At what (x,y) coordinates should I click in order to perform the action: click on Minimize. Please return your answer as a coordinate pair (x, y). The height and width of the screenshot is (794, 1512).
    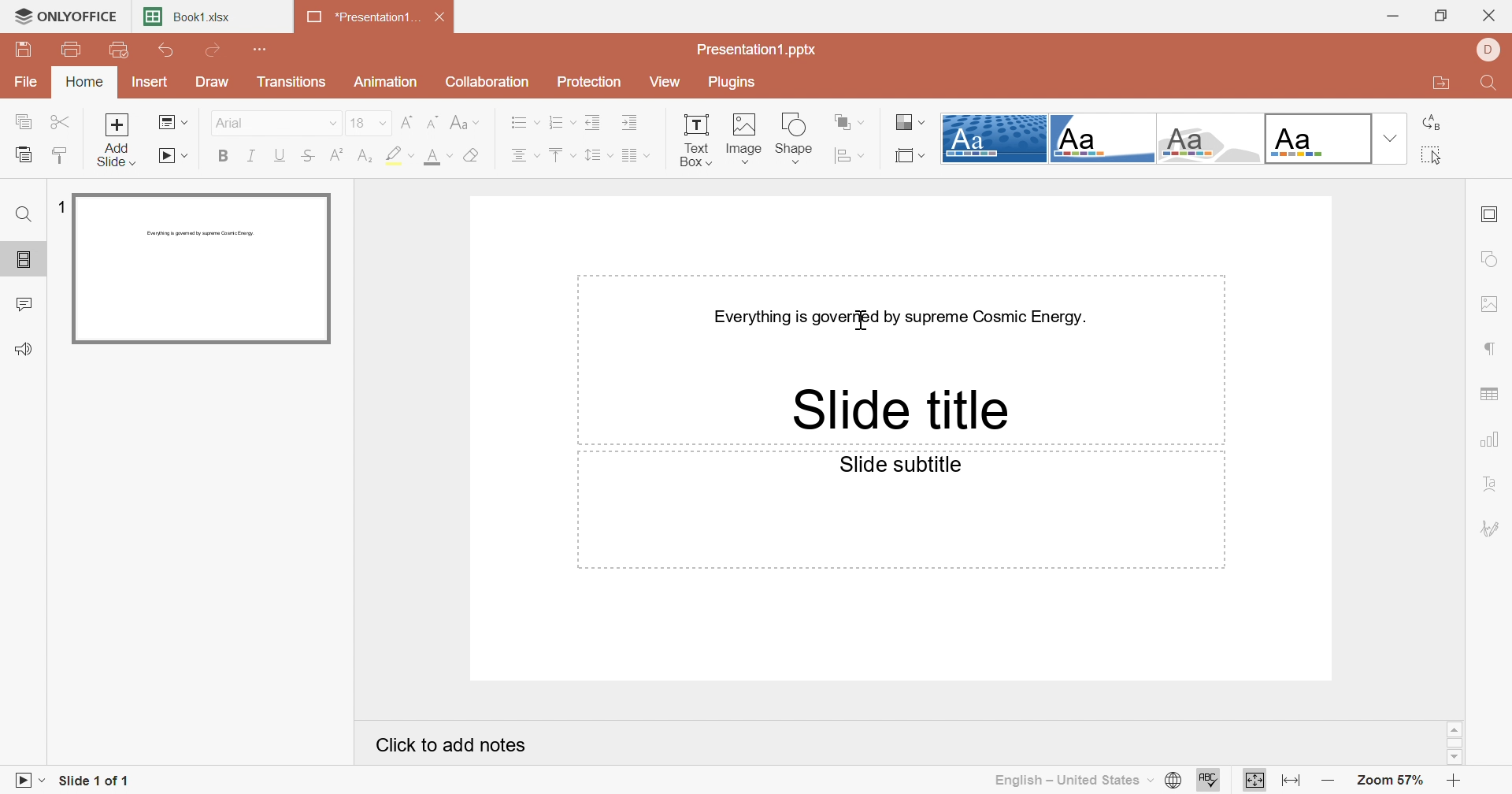
    Looking at the image, I should click on (1394, 17).